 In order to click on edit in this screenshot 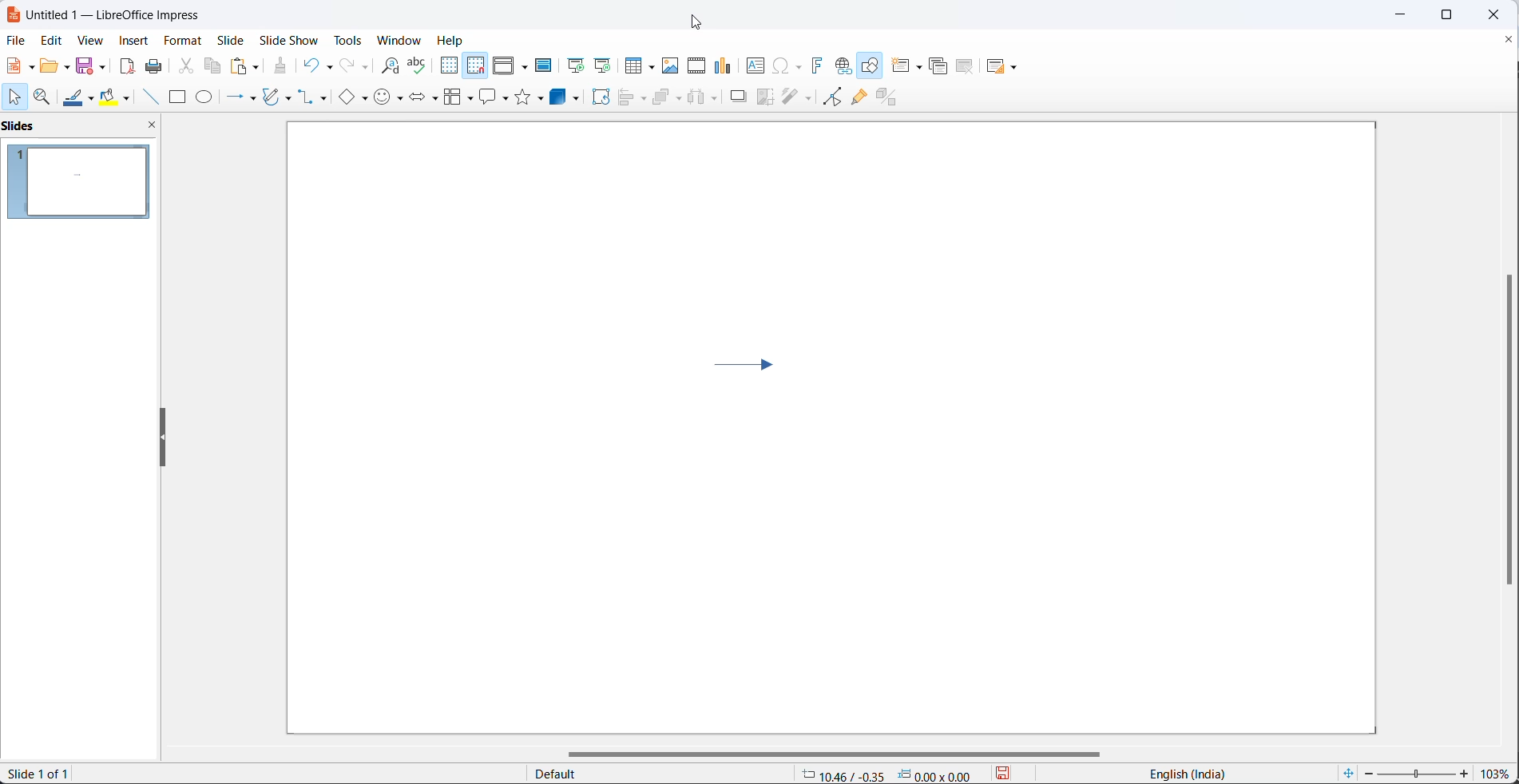, I will do `click(51, 38)`.